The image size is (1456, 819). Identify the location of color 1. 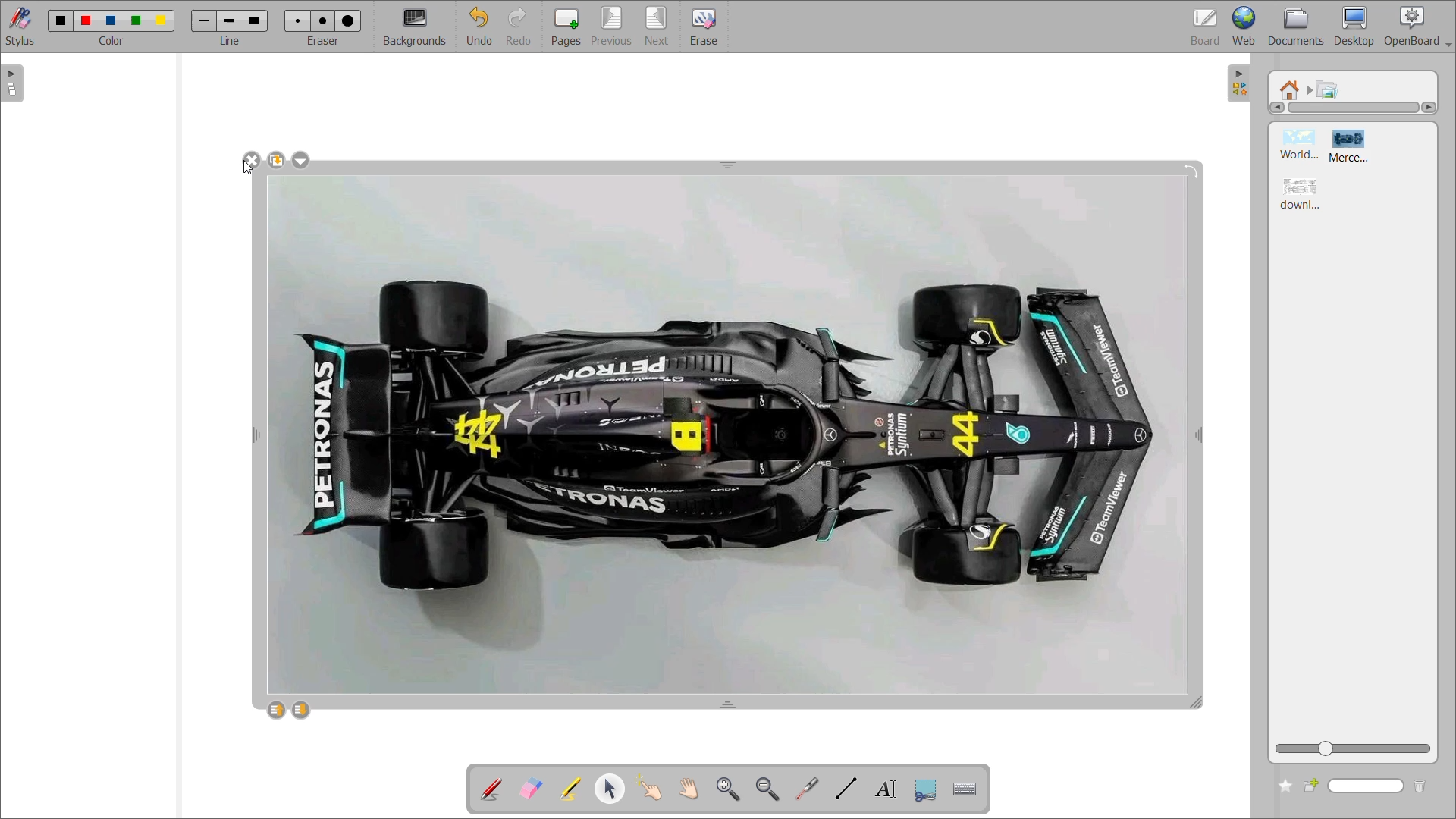
(59, 21).